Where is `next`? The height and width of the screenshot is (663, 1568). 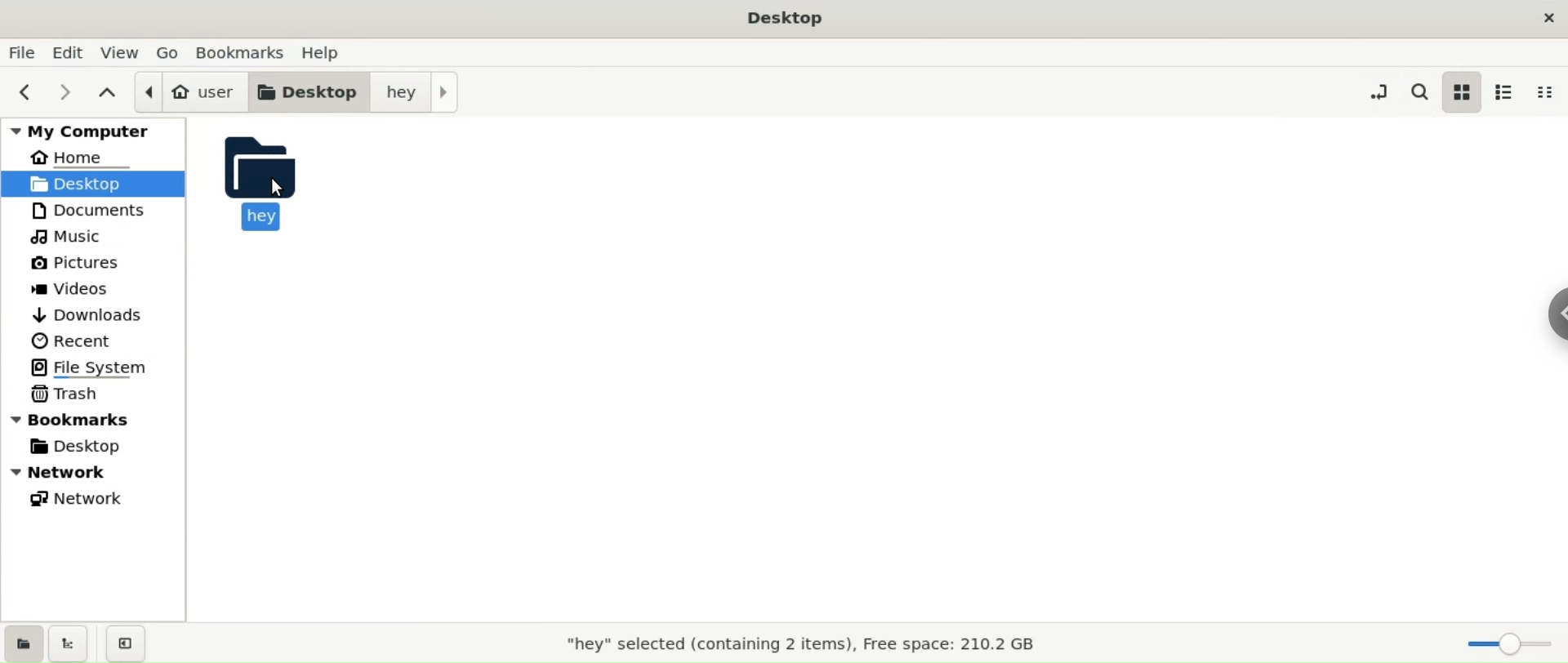
next is located at coordinates (71, 94).